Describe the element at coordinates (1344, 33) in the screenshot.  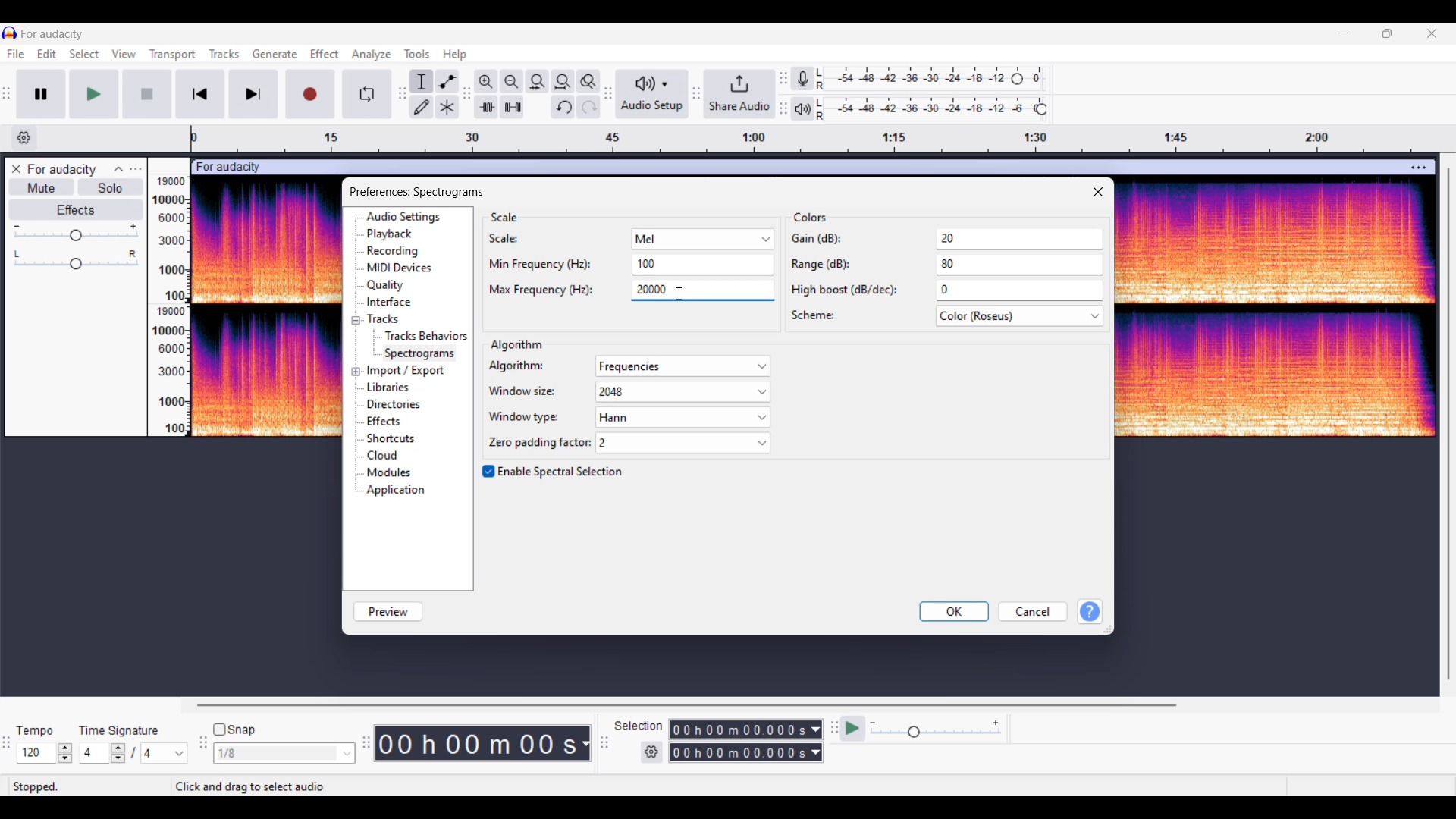
I see `Minimize` at that location.